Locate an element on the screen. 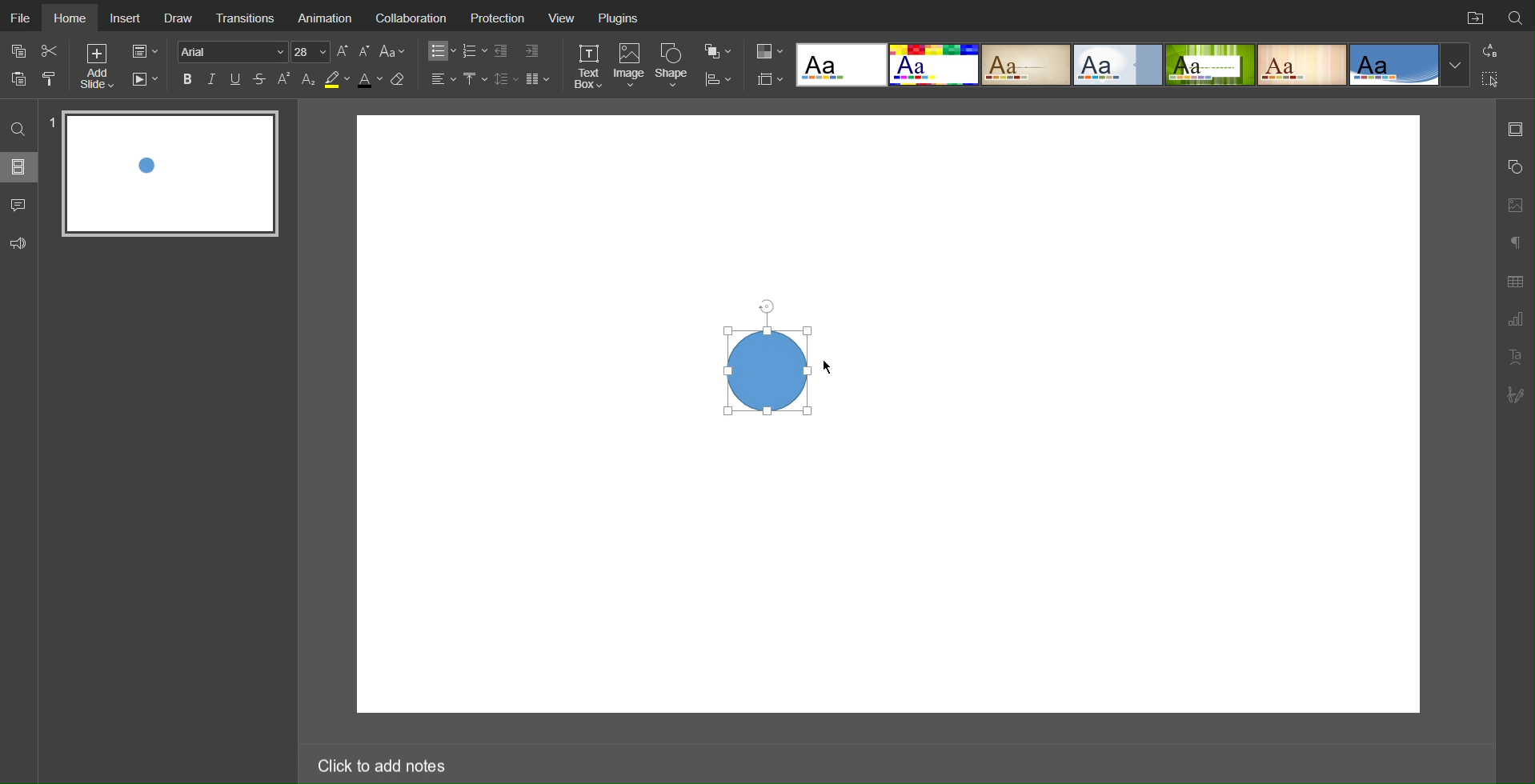  Home is located at coordinates (70, 16).